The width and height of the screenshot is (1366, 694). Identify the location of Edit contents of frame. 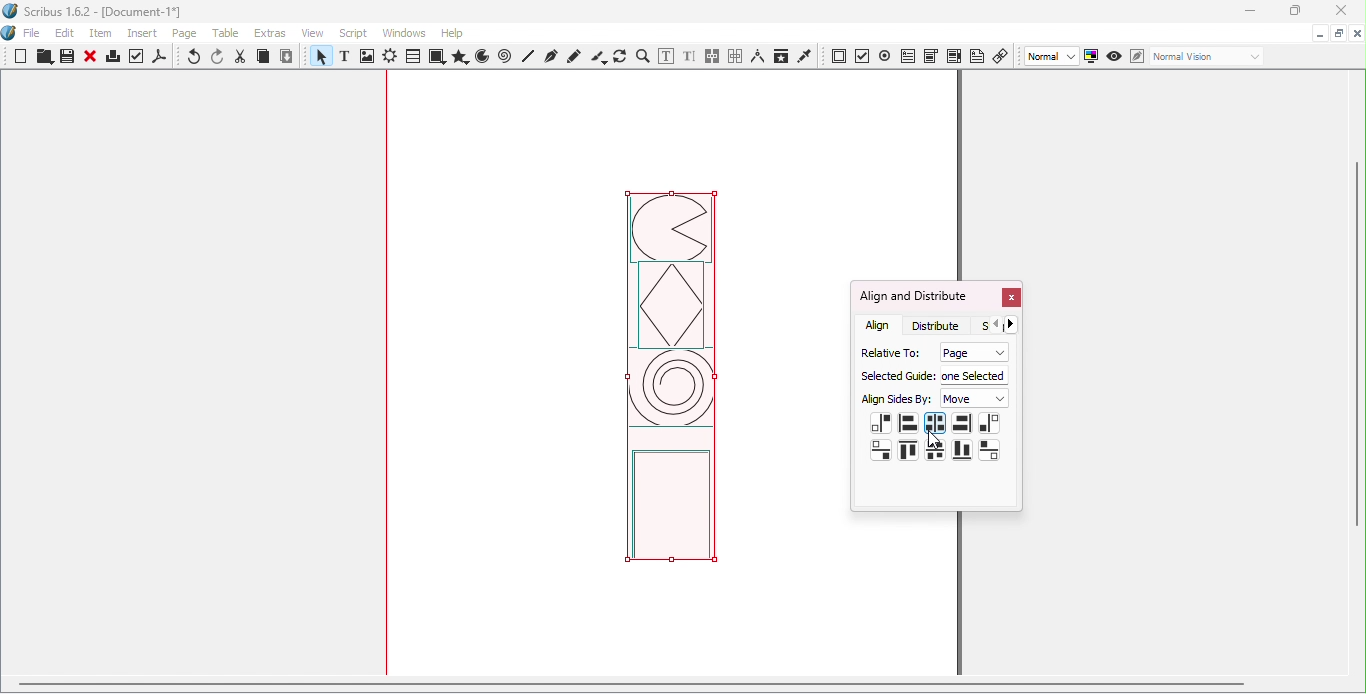
(665, 56).